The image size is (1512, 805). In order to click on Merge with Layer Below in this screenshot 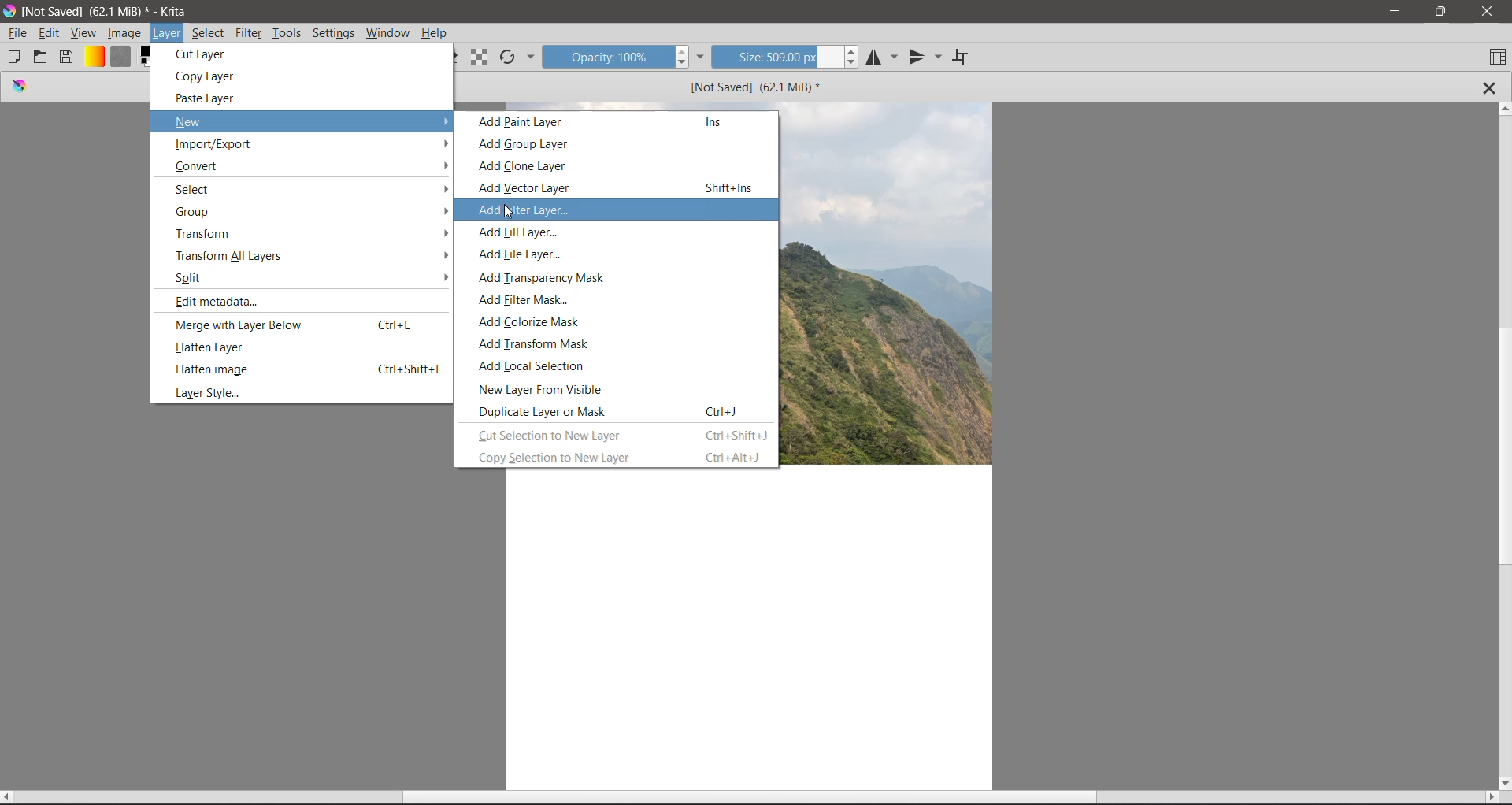, I will do `click(295, 325)`.